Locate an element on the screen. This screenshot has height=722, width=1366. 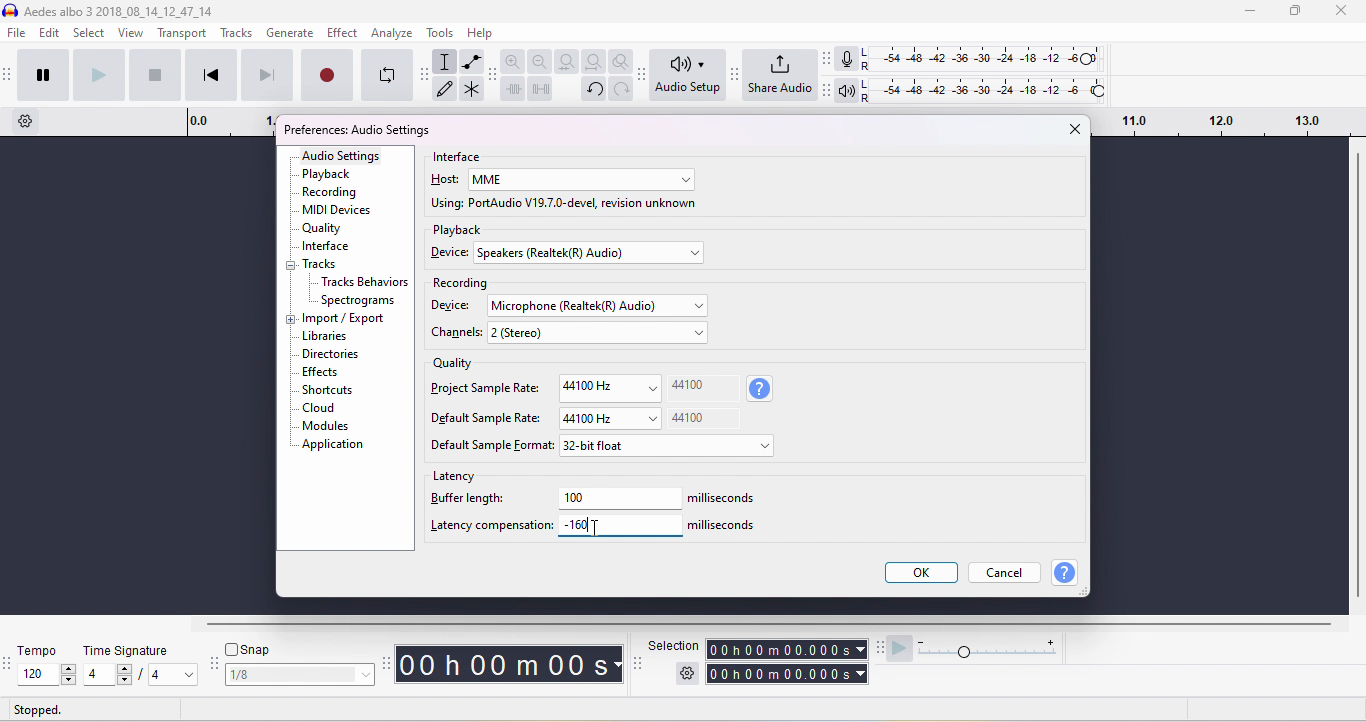
collapse is located at coordinates (294, 267).